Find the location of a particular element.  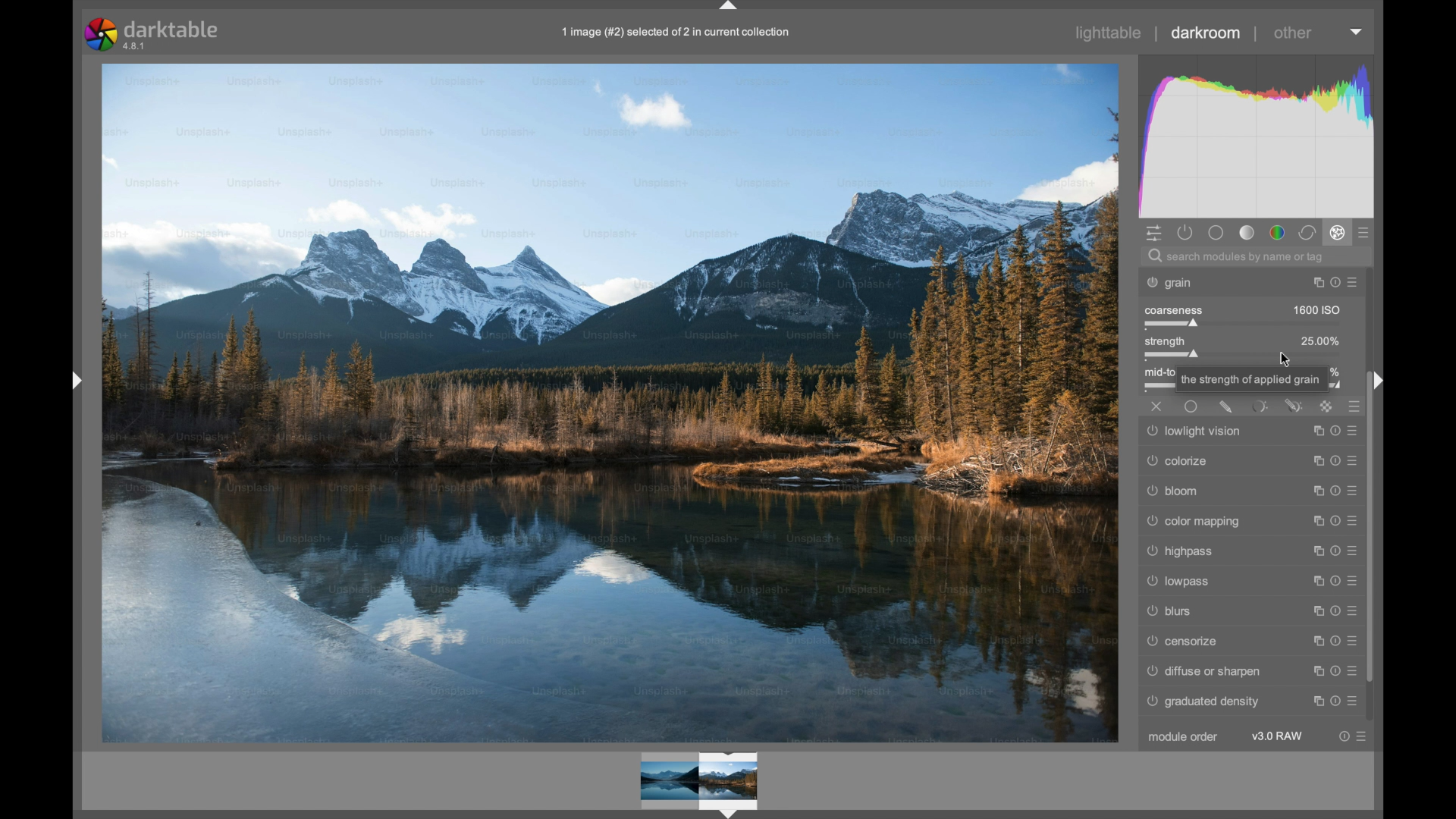

blurs is located at coordinates (1169, 612).